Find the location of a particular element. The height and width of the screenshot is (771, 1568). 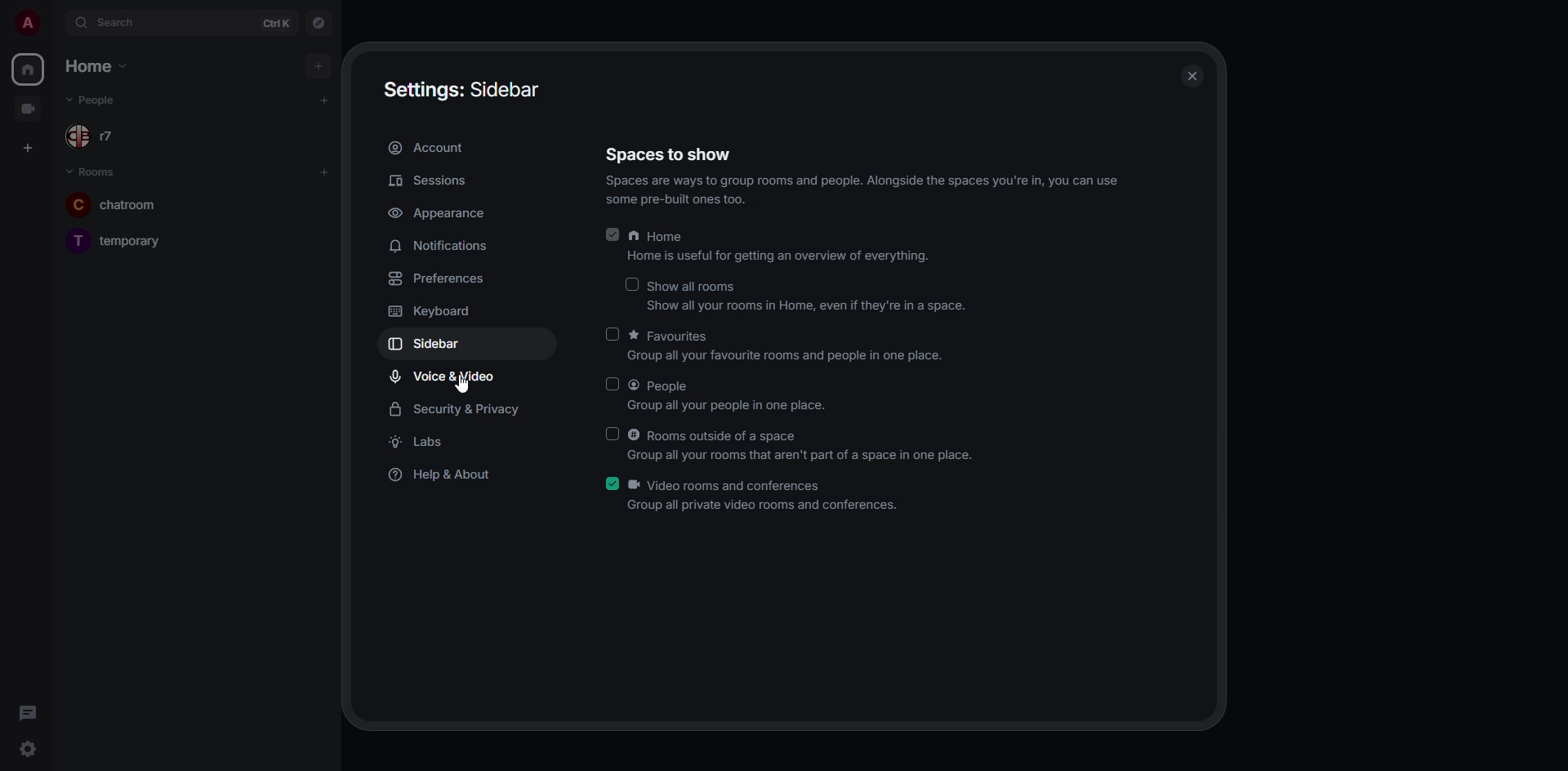

create space is located at coordinates (24, 146).